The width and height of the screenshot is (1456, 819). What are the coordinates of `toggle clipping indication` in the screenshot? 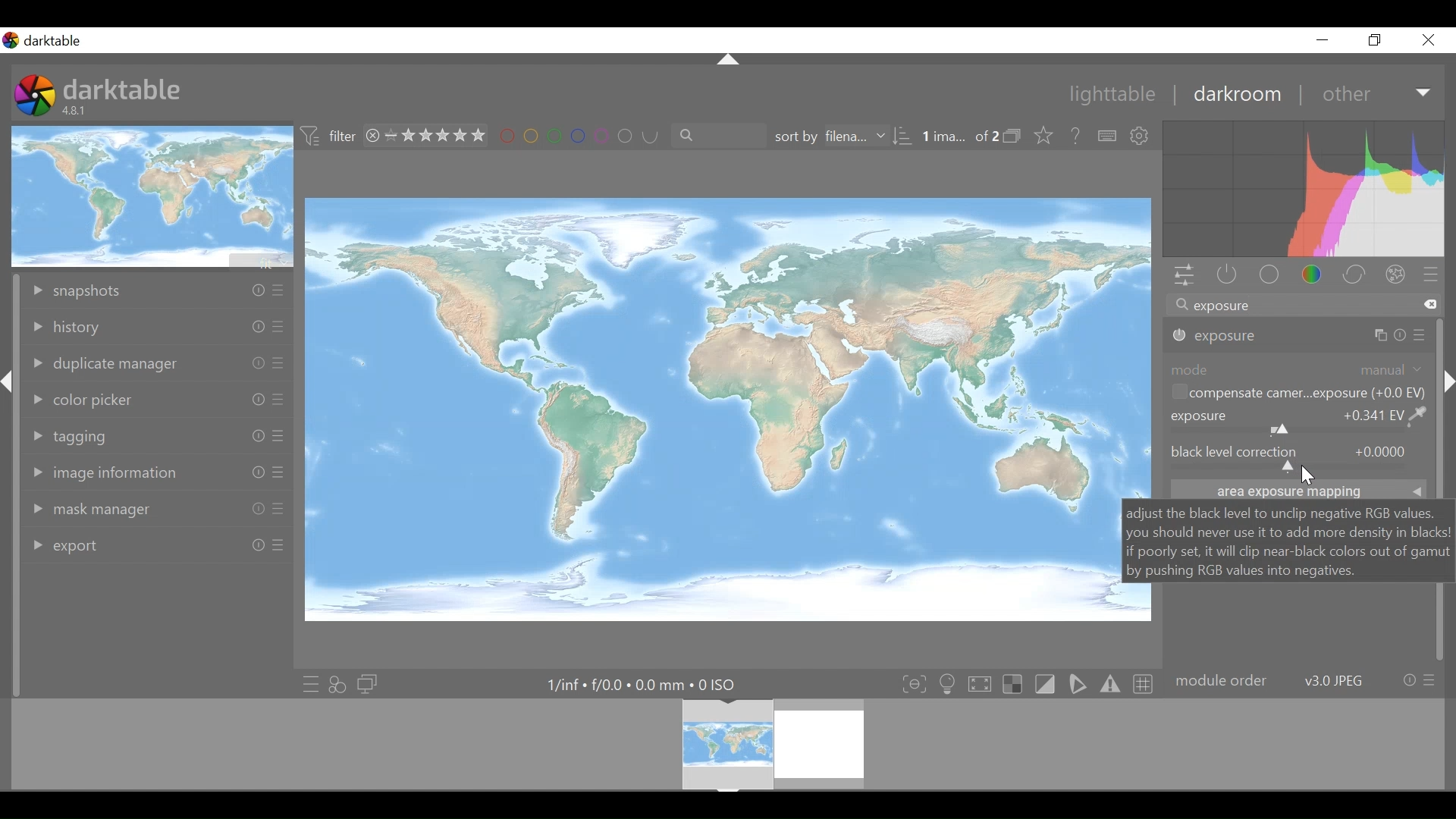 It's located at (1044, 684).